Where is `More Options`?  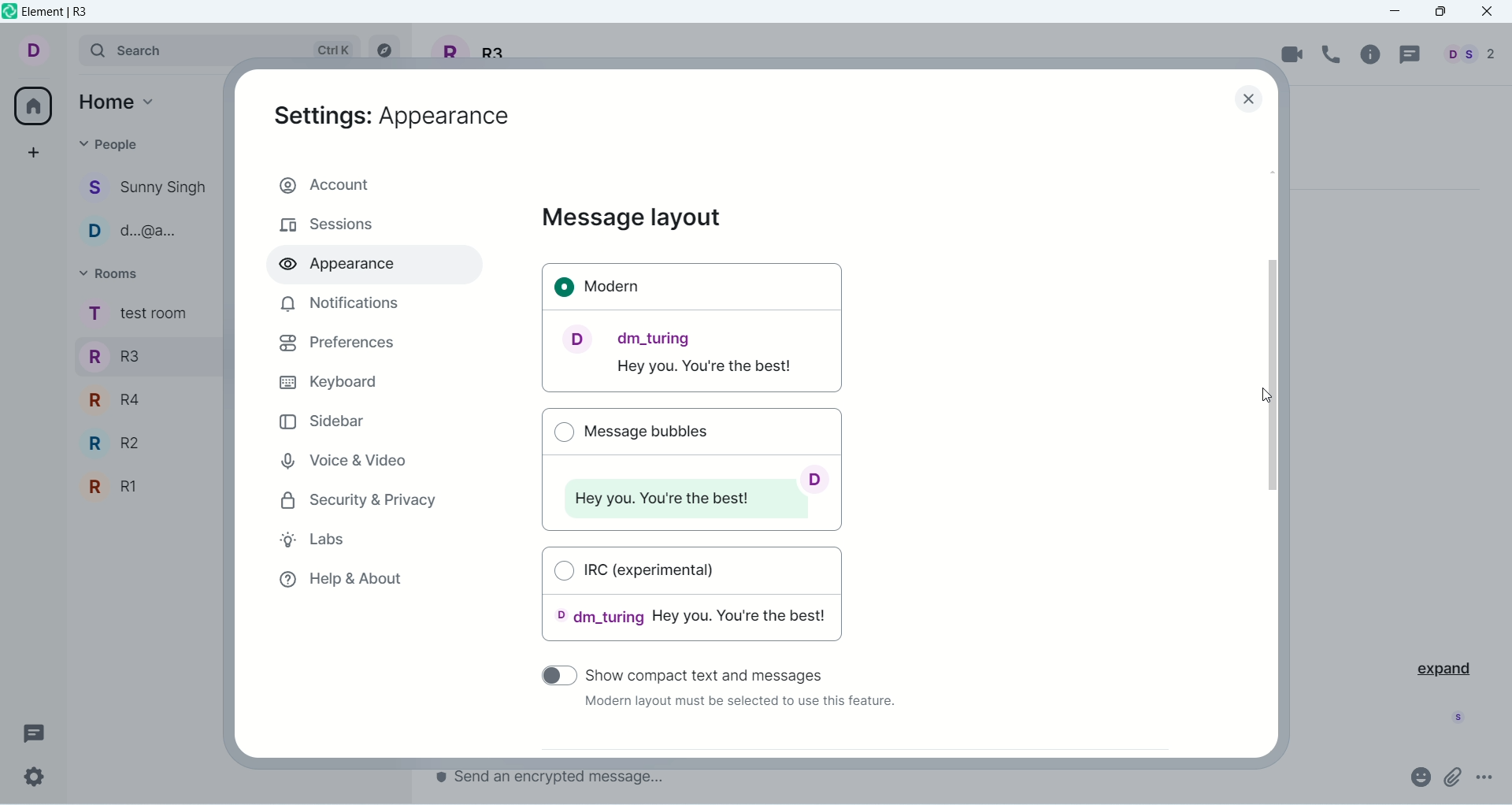
More Options is located at coordinates (1488, 777).